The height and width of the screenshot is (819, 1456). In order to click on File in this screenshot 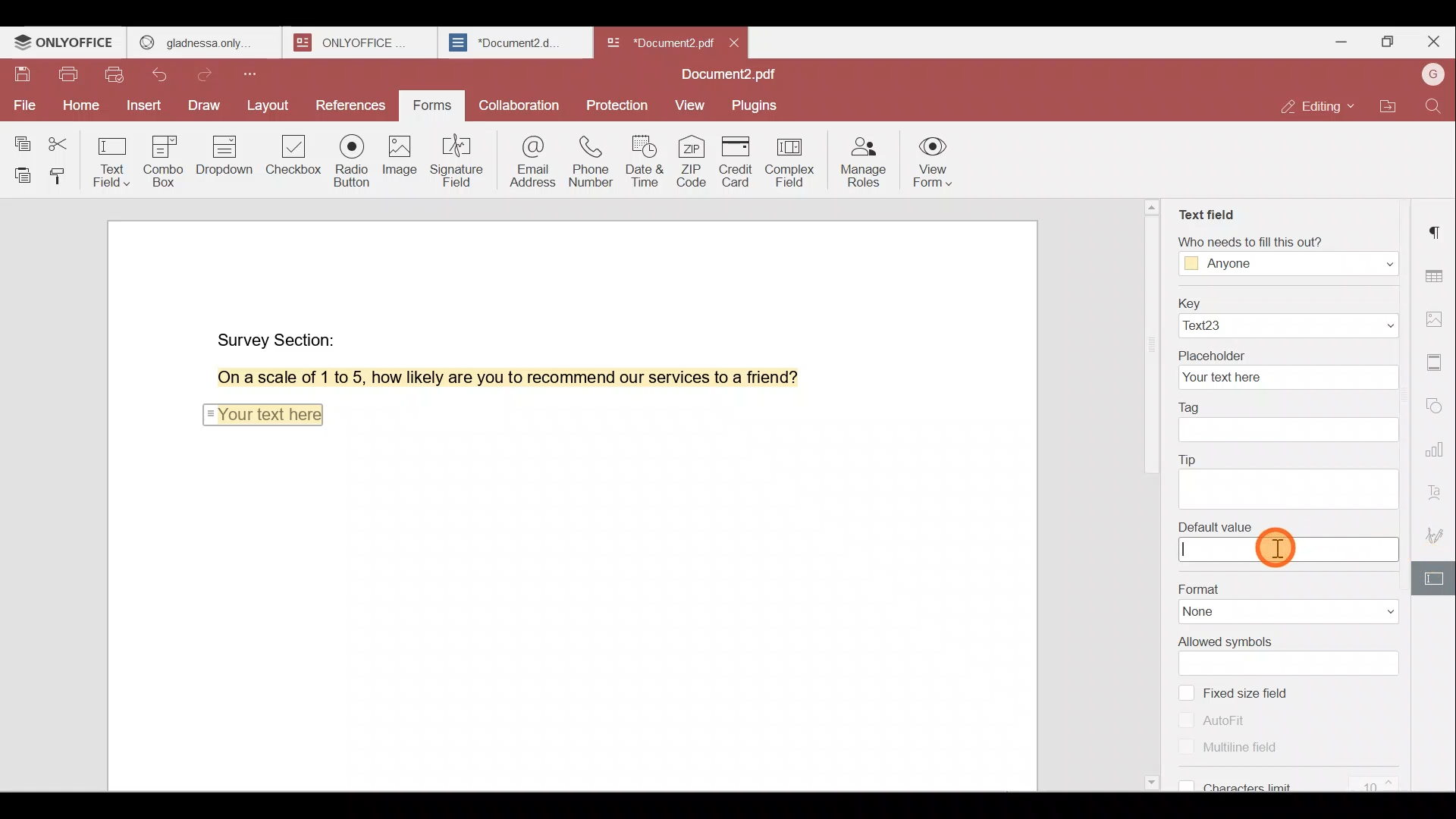, I will do `click(23, 105)`.